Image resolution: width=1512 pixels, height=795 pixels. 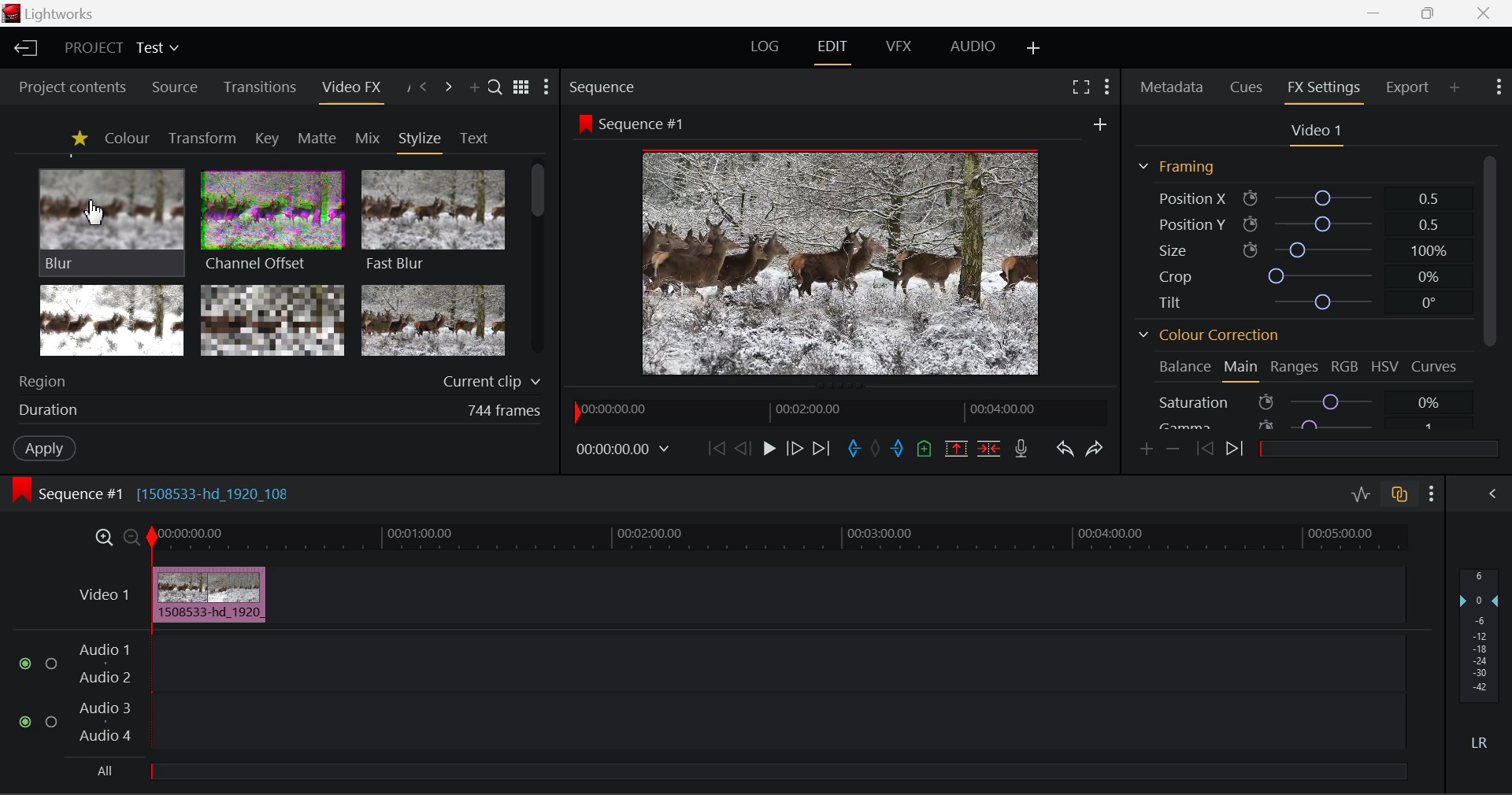 I want to click on Previous Panel, so click(x=424, y=87).